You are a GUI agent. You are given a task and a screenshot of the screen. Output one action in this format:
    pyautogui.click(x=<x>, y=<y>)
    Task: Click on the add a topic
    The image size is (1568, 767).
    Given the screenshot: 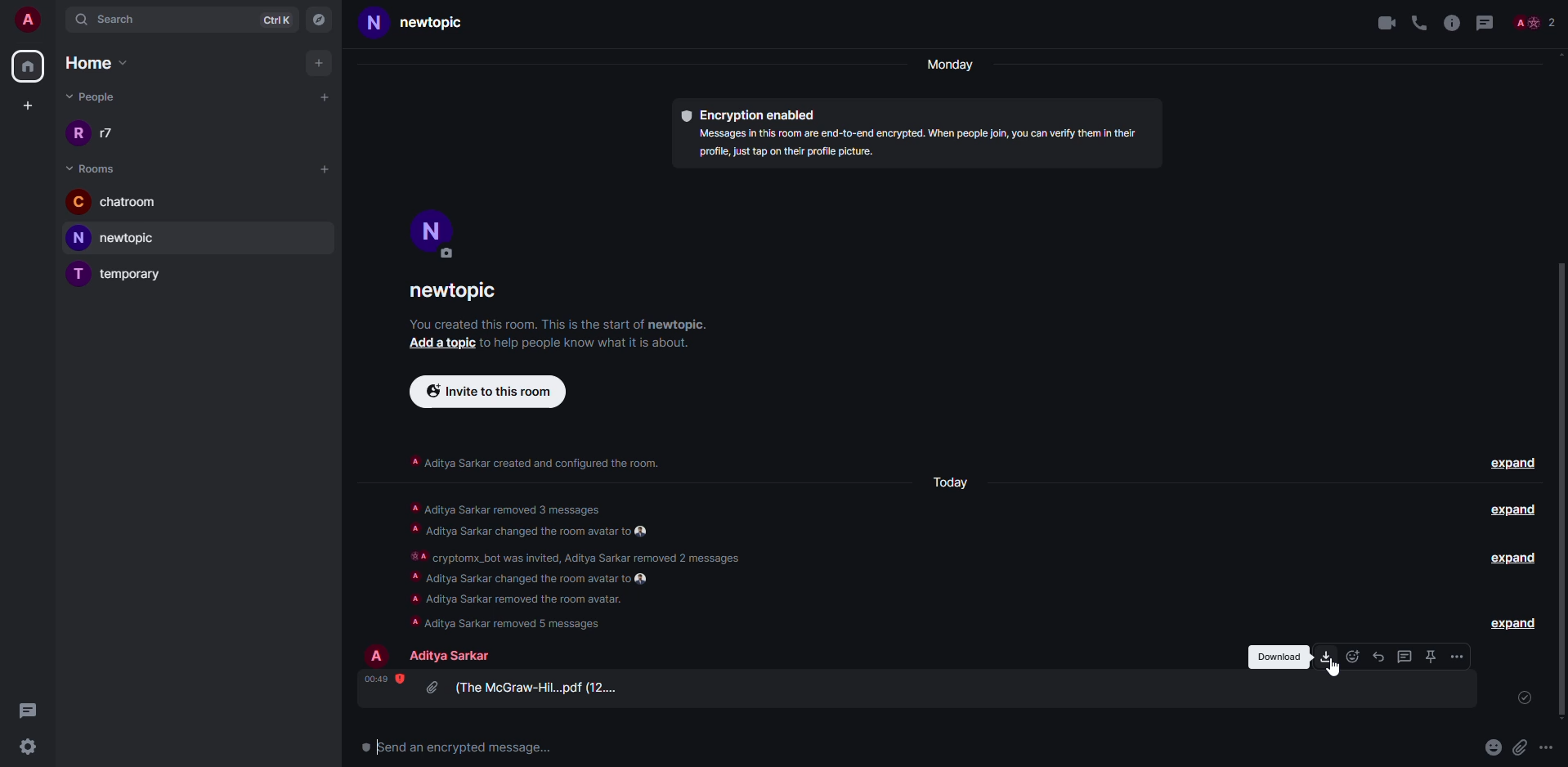 What is the action you would take?
    pyautogui.click(x=438, y=346)
    